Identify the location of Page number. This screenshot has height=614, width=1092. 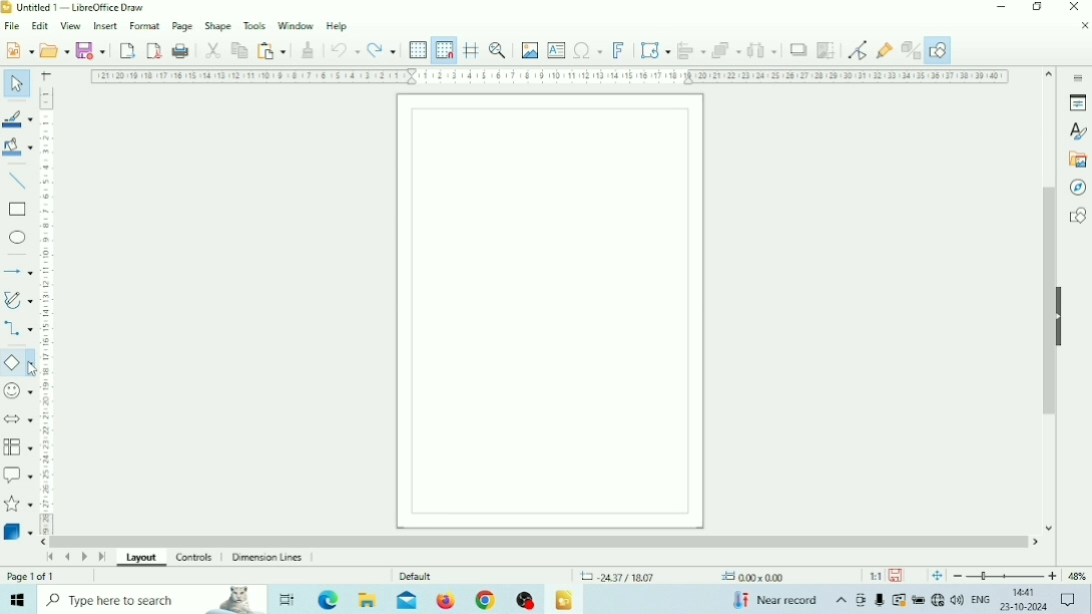
(32, 576).